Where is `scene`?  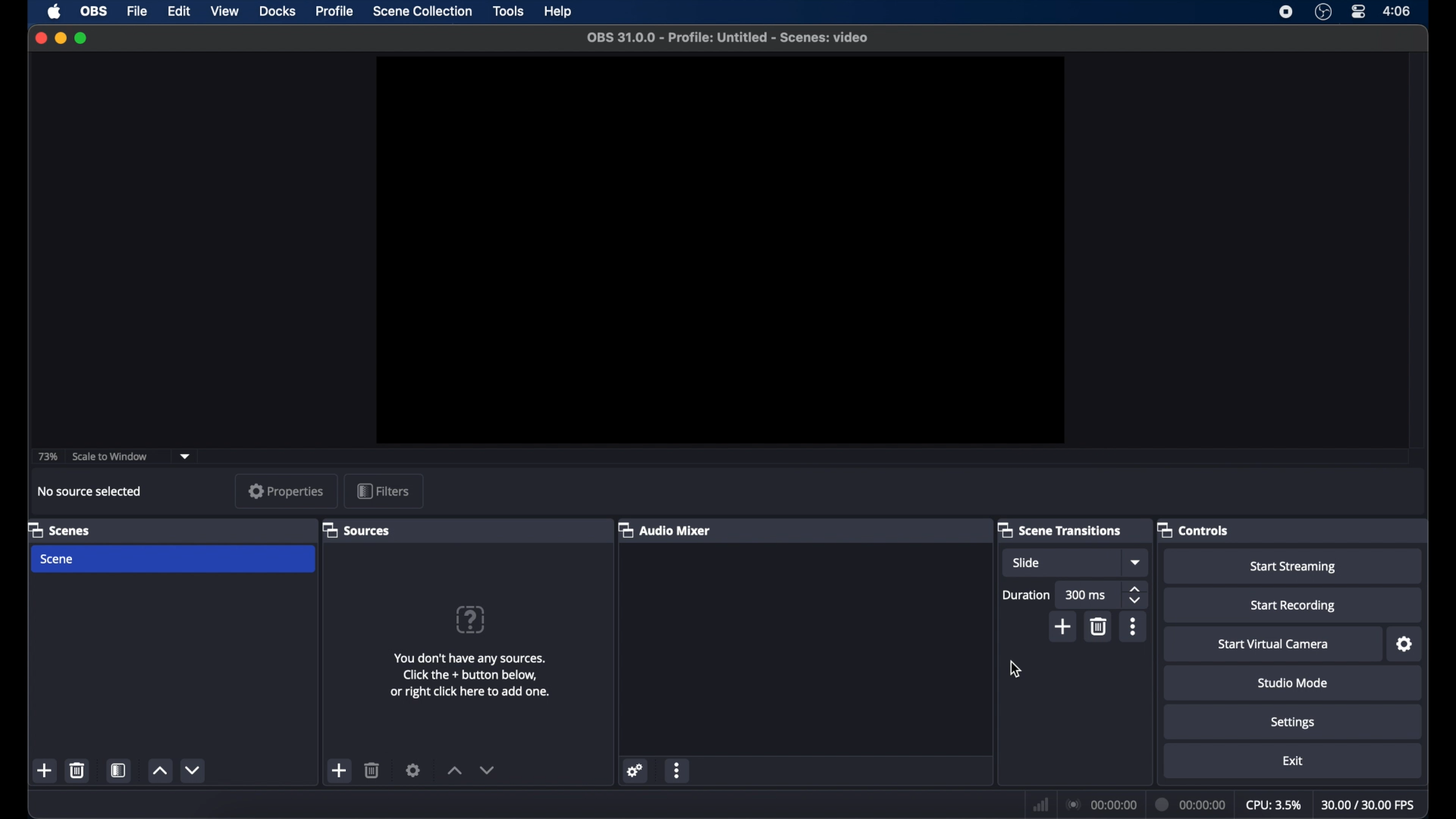 scene is located at coordinates (59, 529).